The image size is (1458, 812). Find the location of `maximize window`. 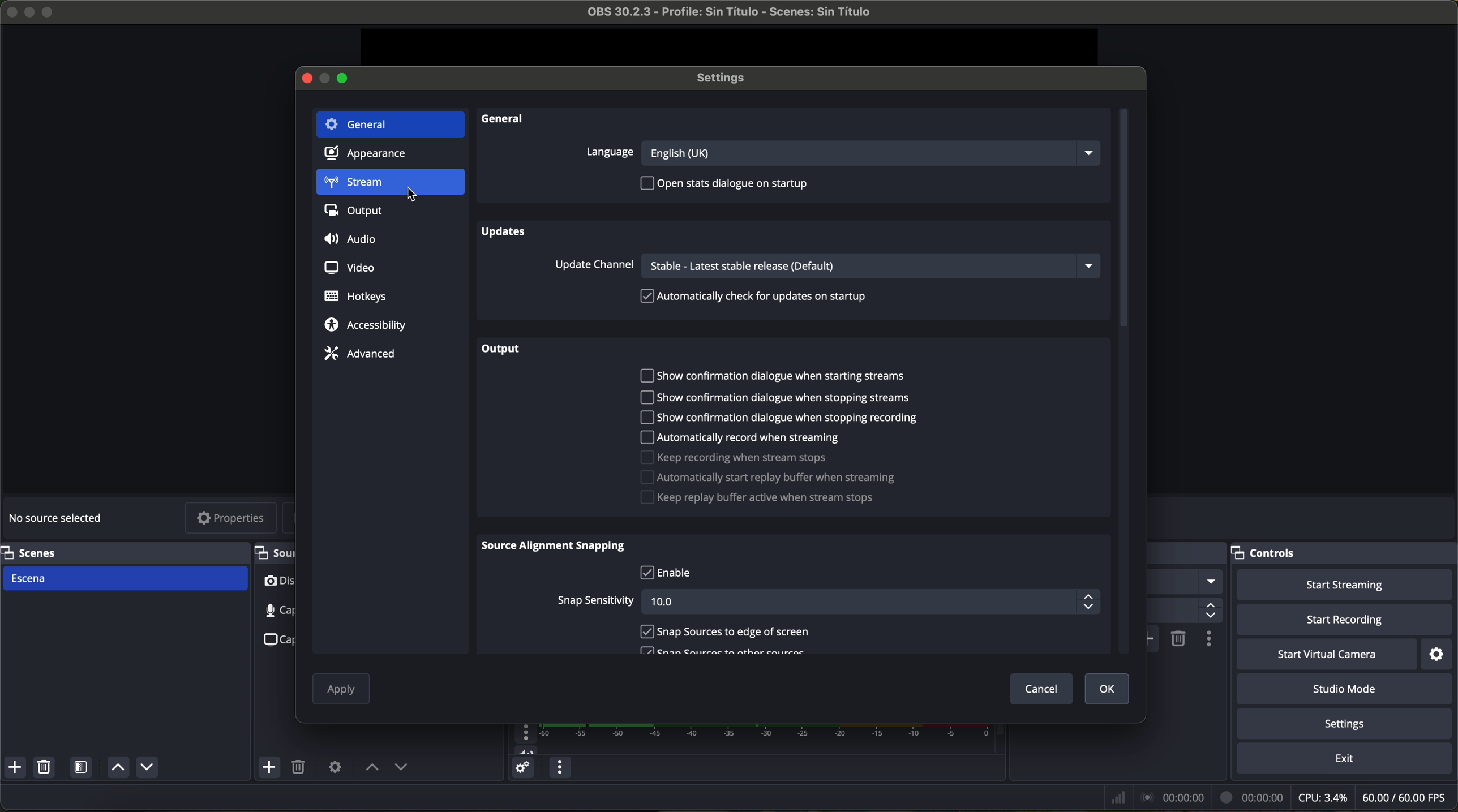

maximize window is located at coordinates (344, 77).